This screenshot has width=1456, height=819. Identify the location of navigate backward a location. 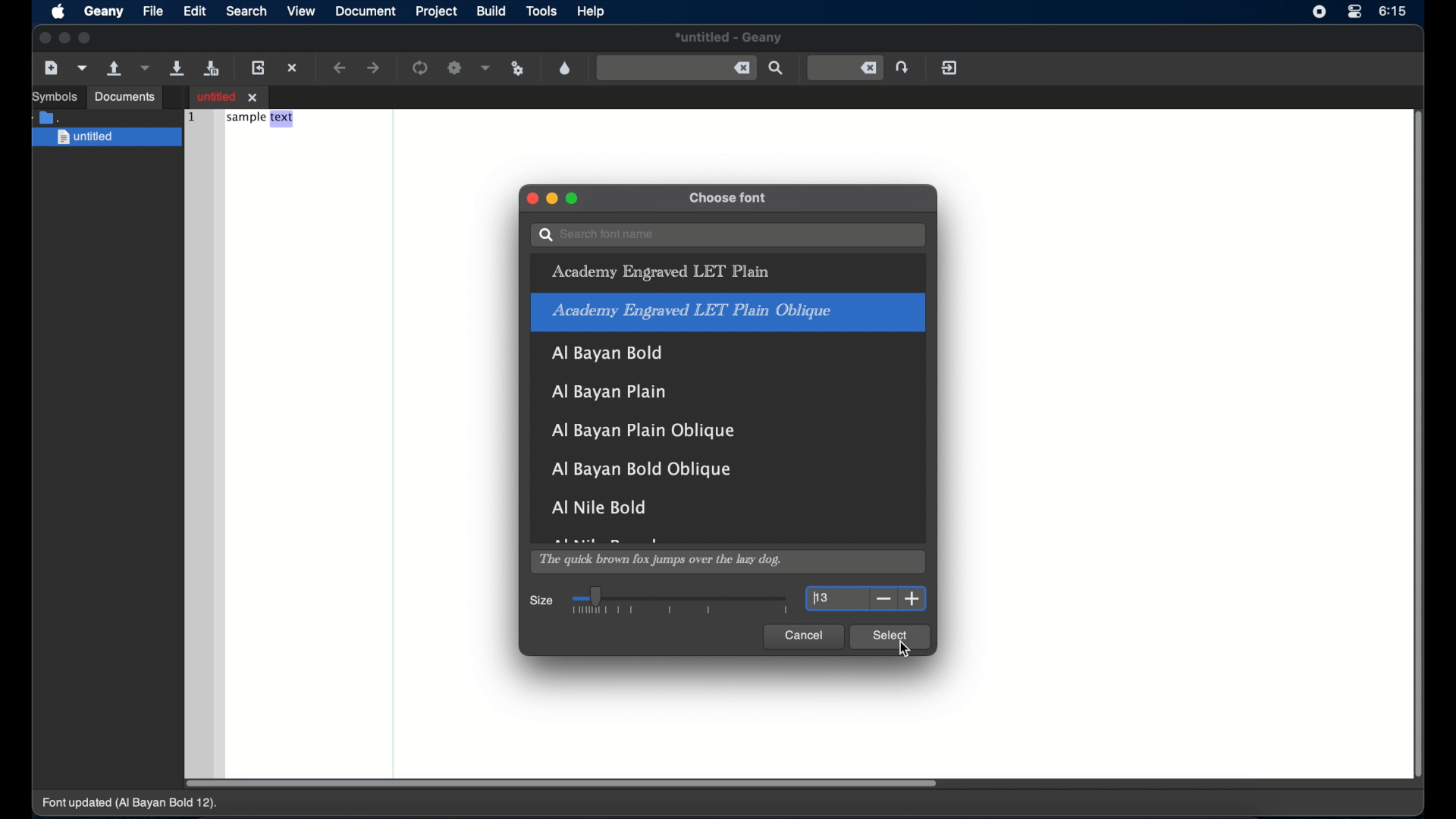
(340, 68).